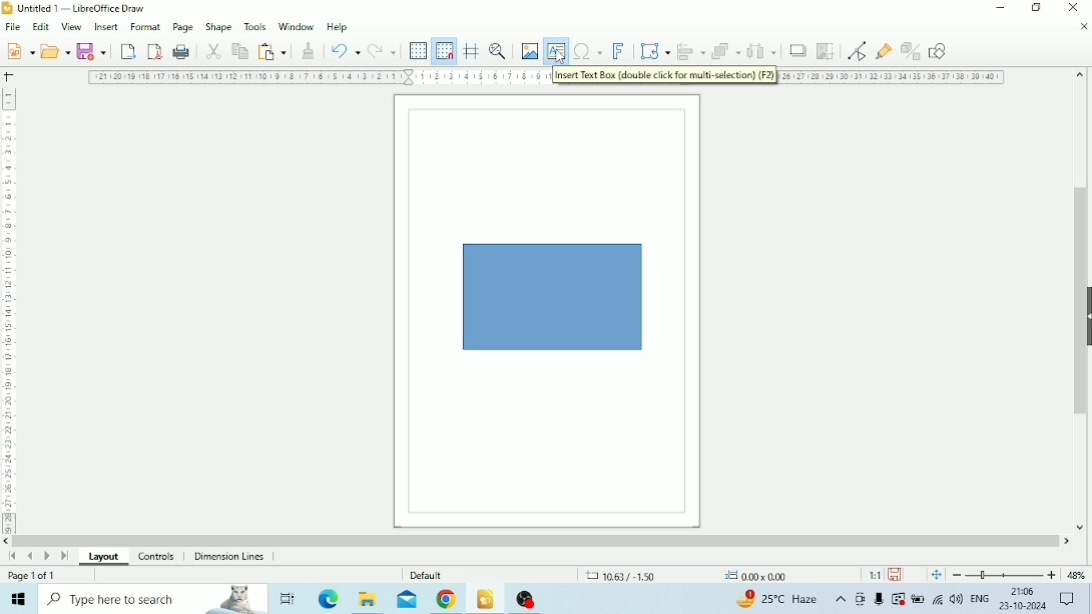  What do you see at coordinates (1068, 600) in the screenshot?
I see `Notifications` at bounding box center [1068, 600].